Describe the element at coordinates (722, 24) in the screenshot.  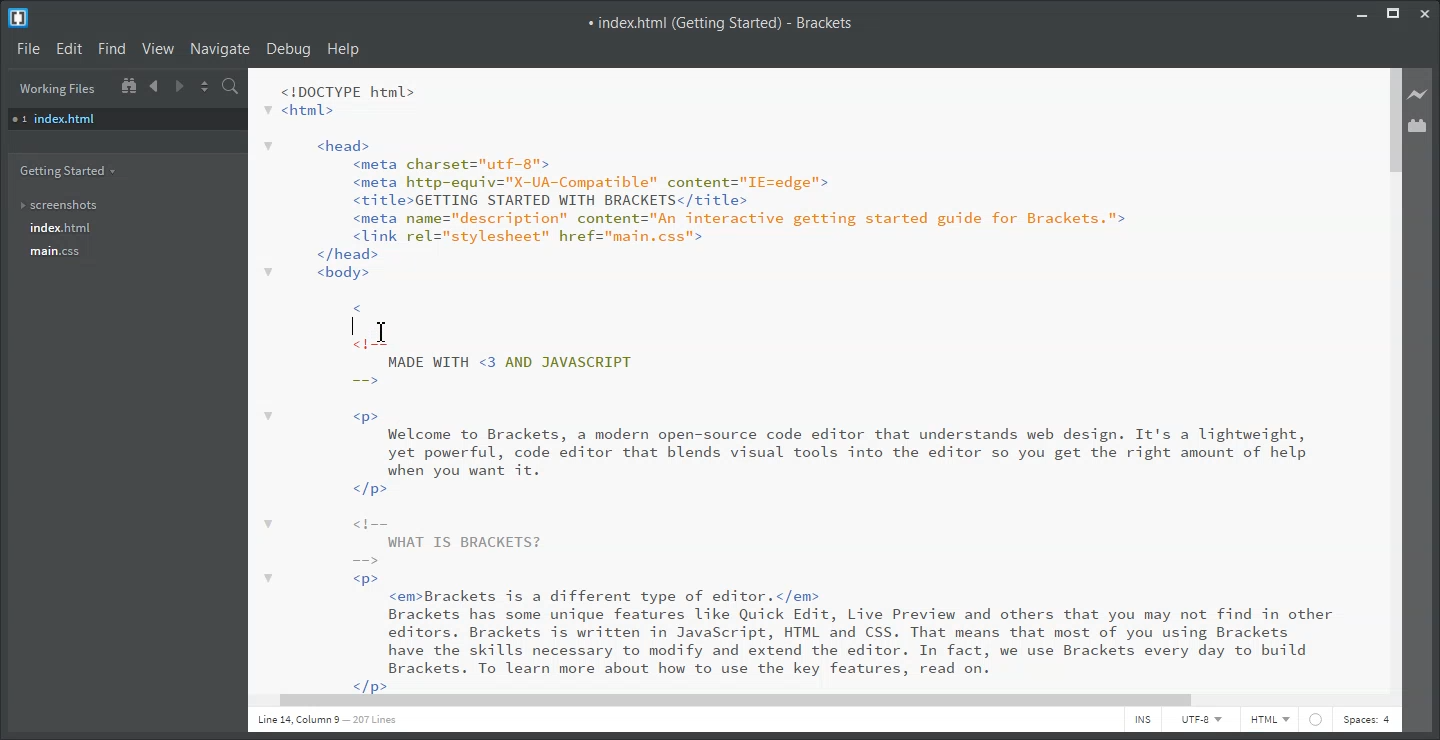
I see `Text` at that location.